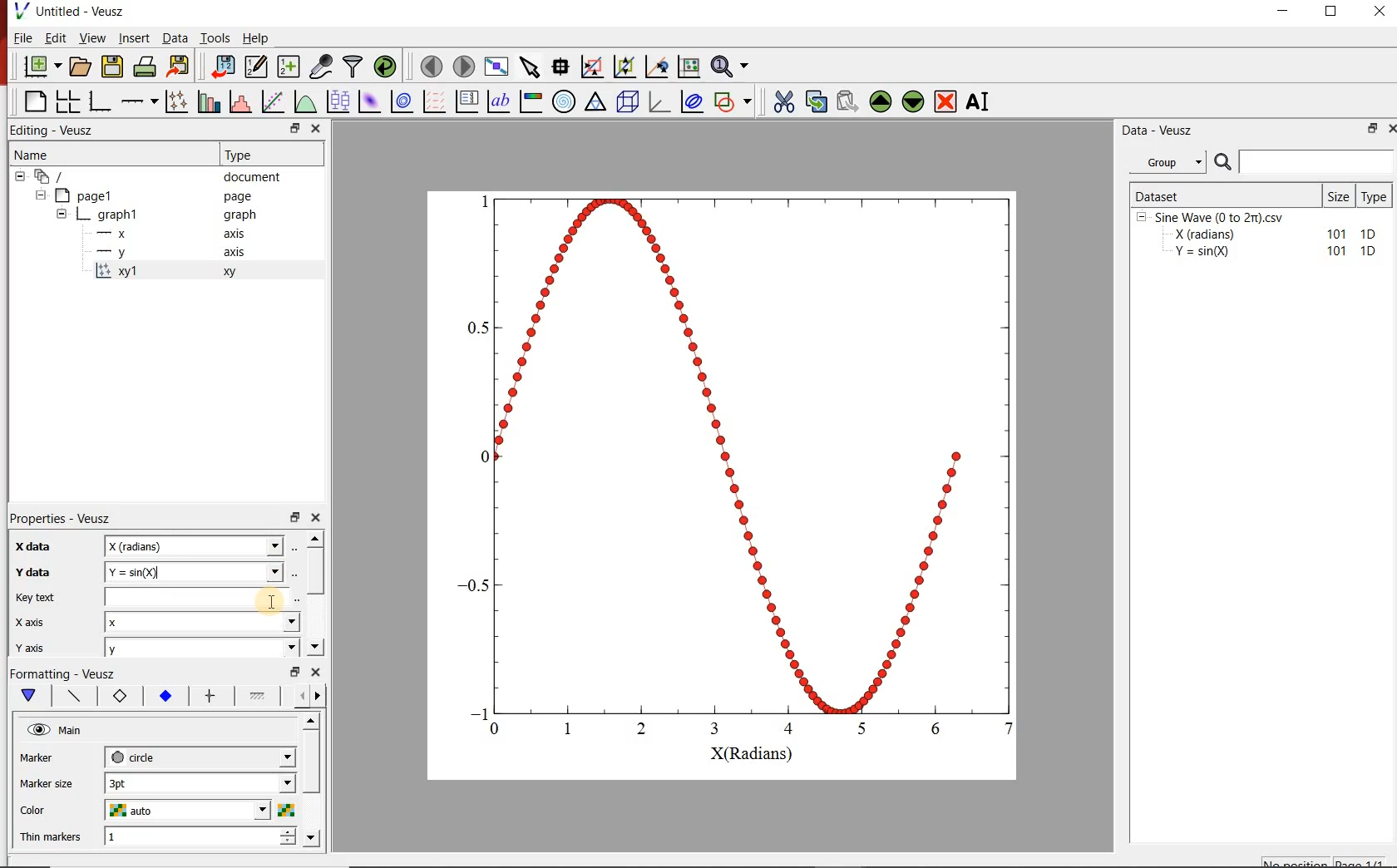 The width and height of the screenshot is (1397, 868). What do you see at coordinates (243, 153) in the screenshot?
I see `Type` at bounding box center [243, 153].